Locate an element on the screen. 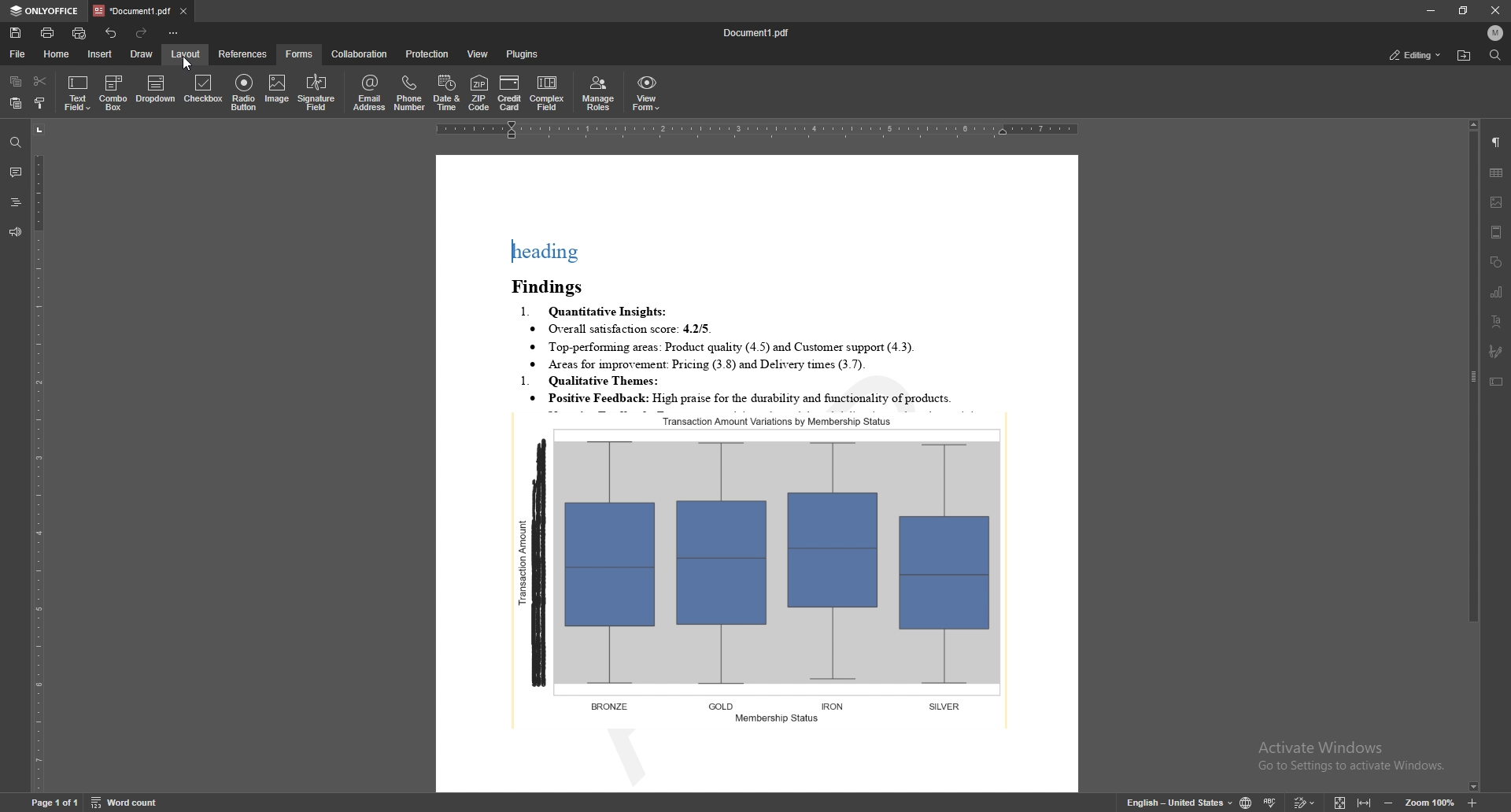 This screenshot has height=812, width=1511. credit card is located at coordinates (510, 93).